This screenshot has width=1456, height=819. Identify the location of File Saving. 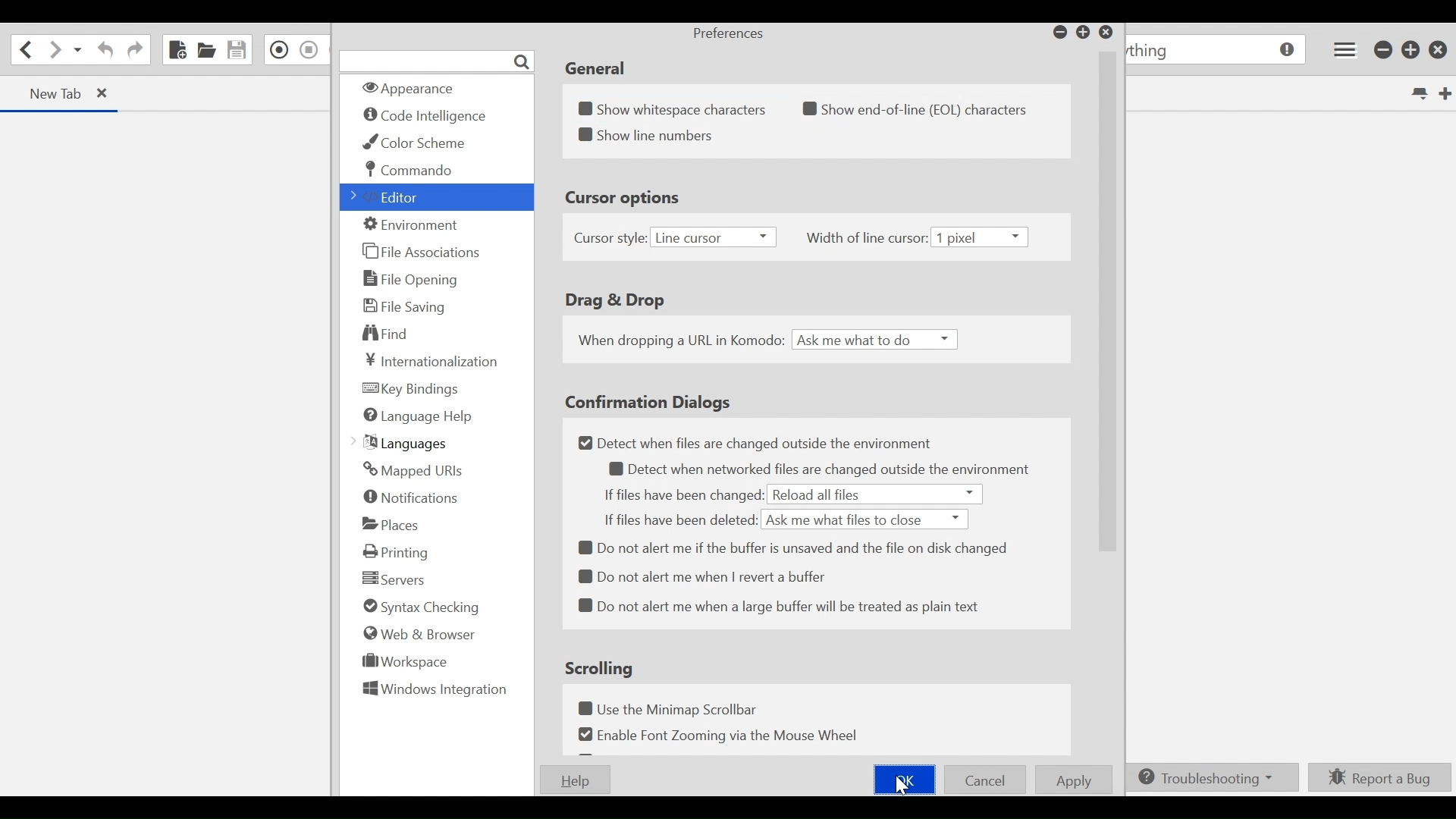
(406, 306).